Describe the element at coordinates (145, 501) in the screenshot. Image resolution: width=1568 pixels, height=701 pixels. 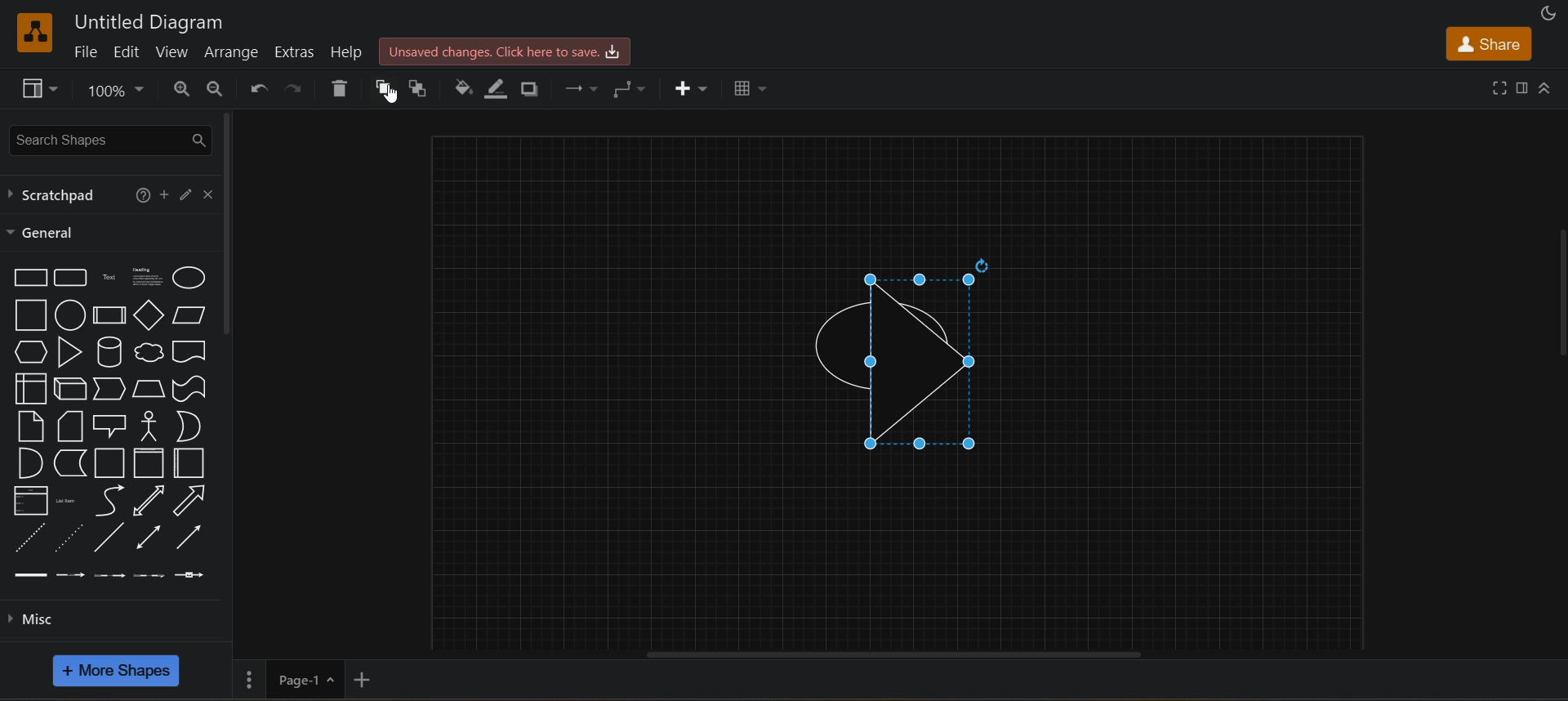
I see `bidirectional arrow` at that location.